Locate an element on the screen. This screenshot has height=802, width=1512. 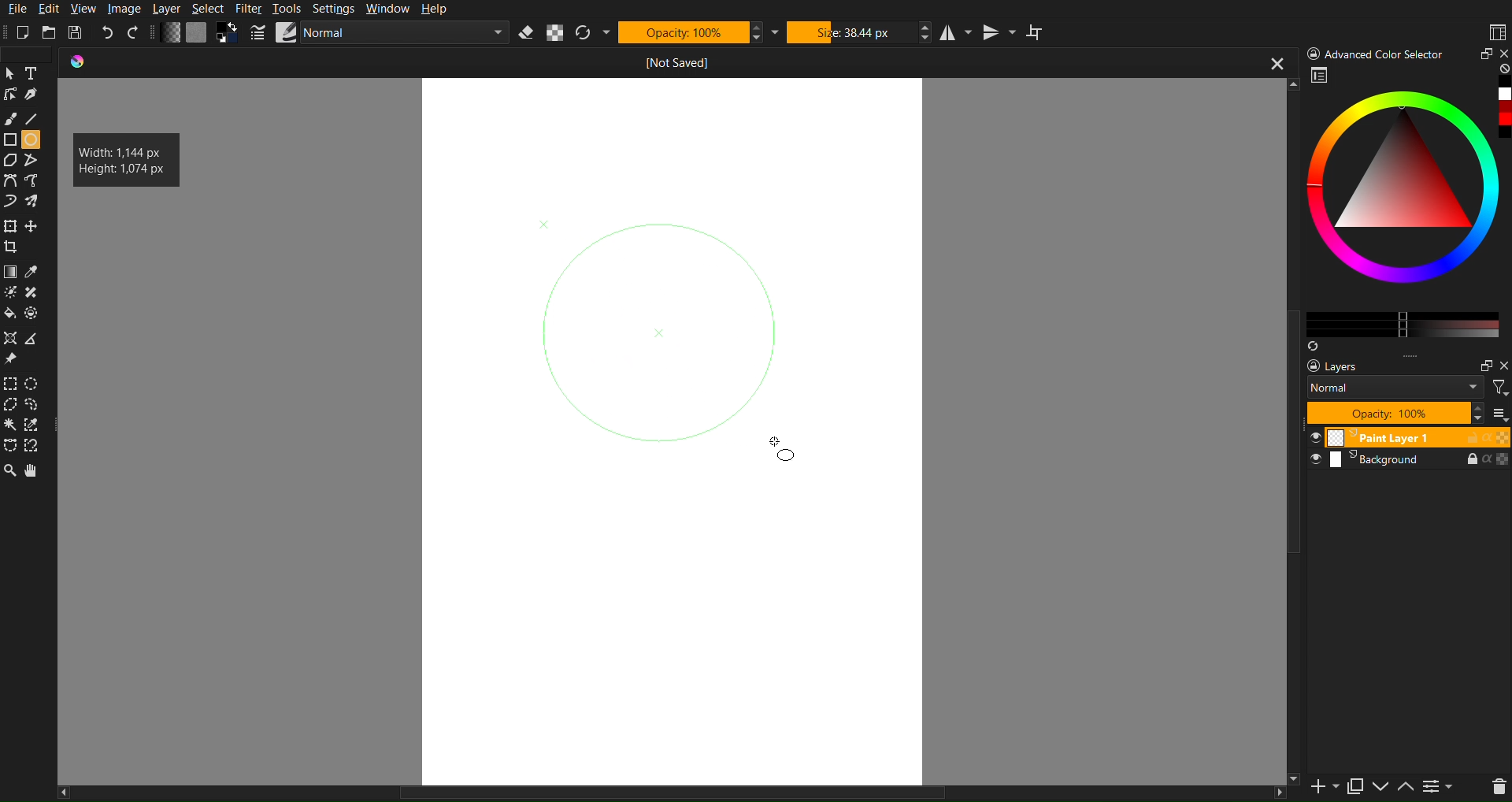
maximize is located at coordinates (1482, 366).